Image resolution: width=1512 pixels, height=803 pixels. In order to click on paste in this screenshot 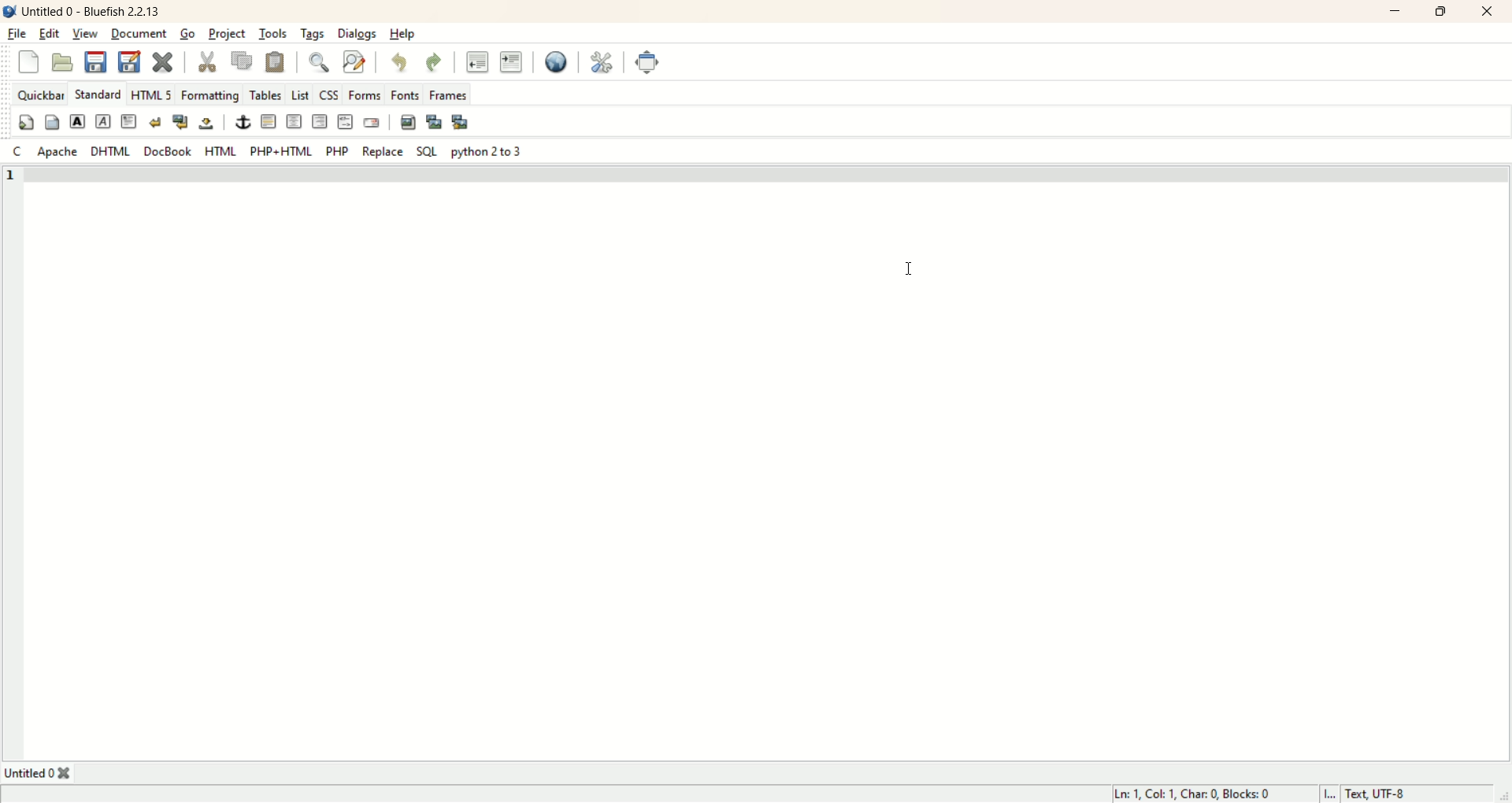, I will do `click(275, 63)`.